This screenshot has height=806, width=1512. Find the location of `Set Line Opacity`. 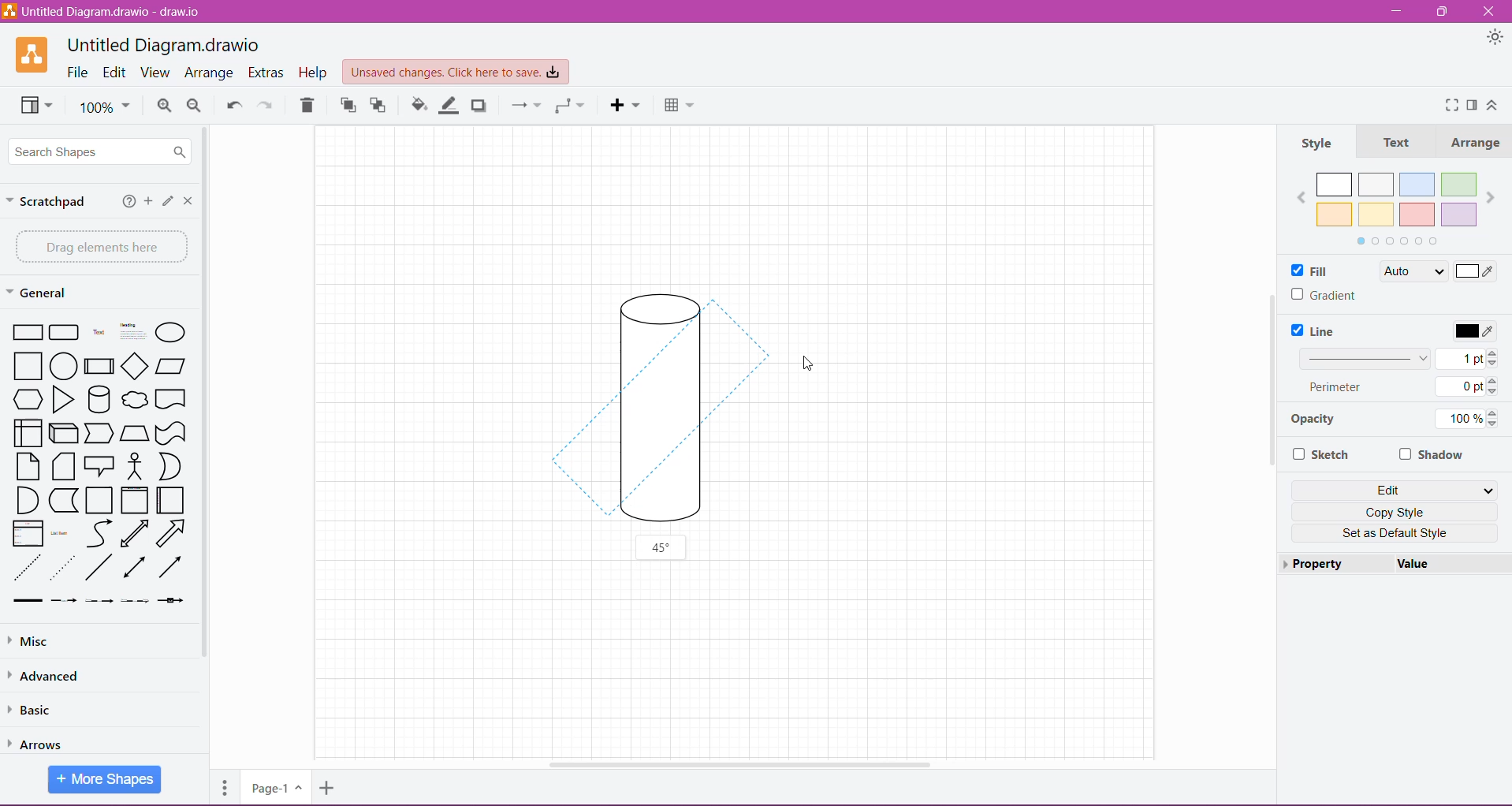

Set Line Opacity is located at coordinates (1393, 421).